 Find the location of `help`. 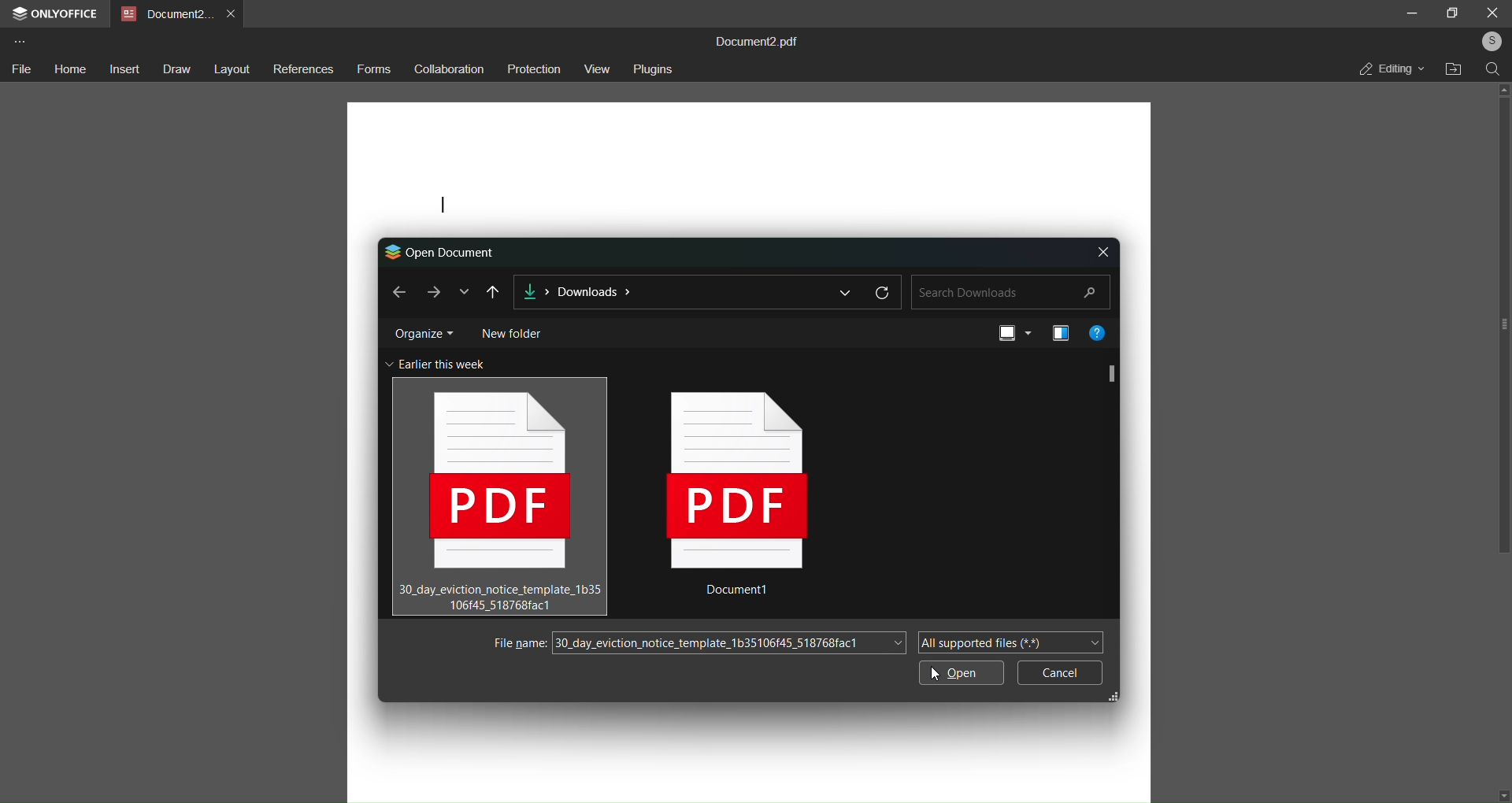

help is located at coordinates (1099, 331).